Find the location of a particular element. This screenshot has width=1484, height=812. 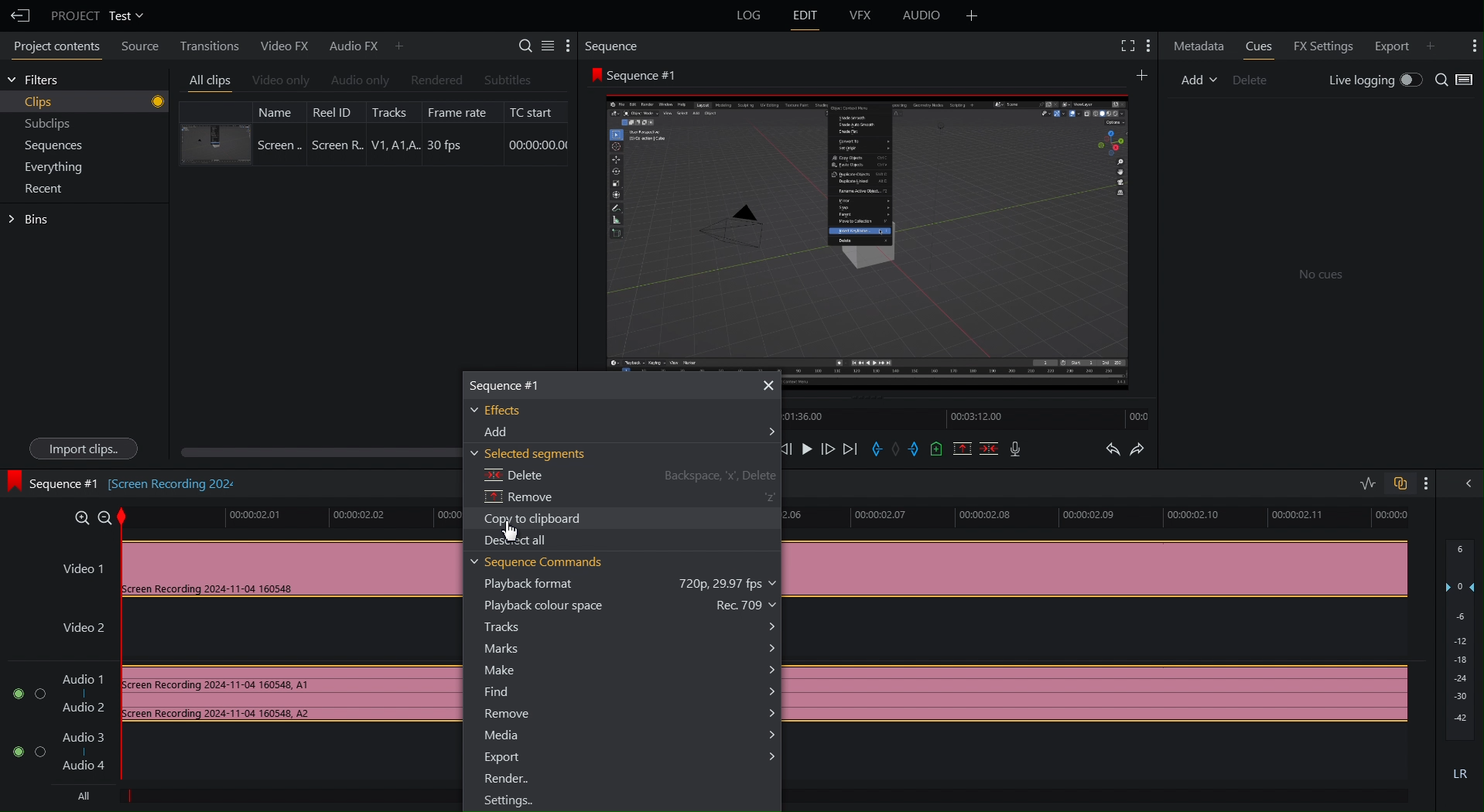

Delete is located at coordinates (1249, 78).